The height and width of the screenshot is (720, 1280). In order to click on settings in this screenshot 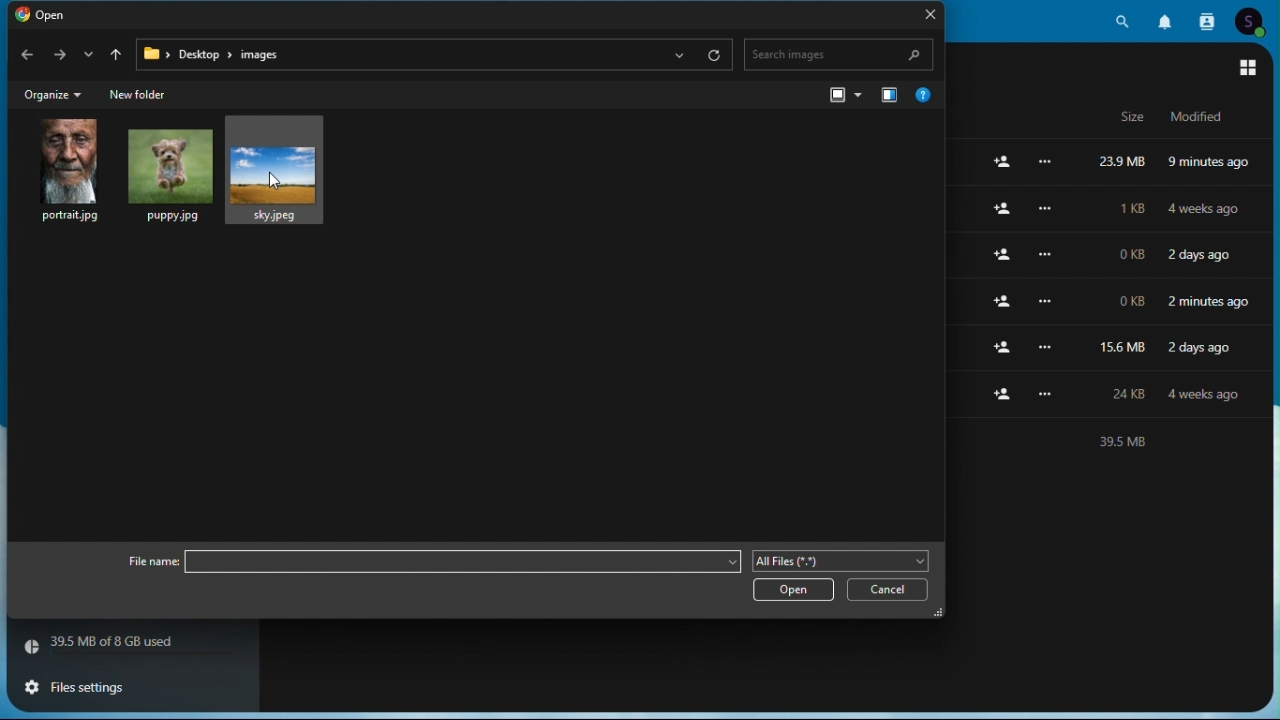, I will do `click(86, 688)`.